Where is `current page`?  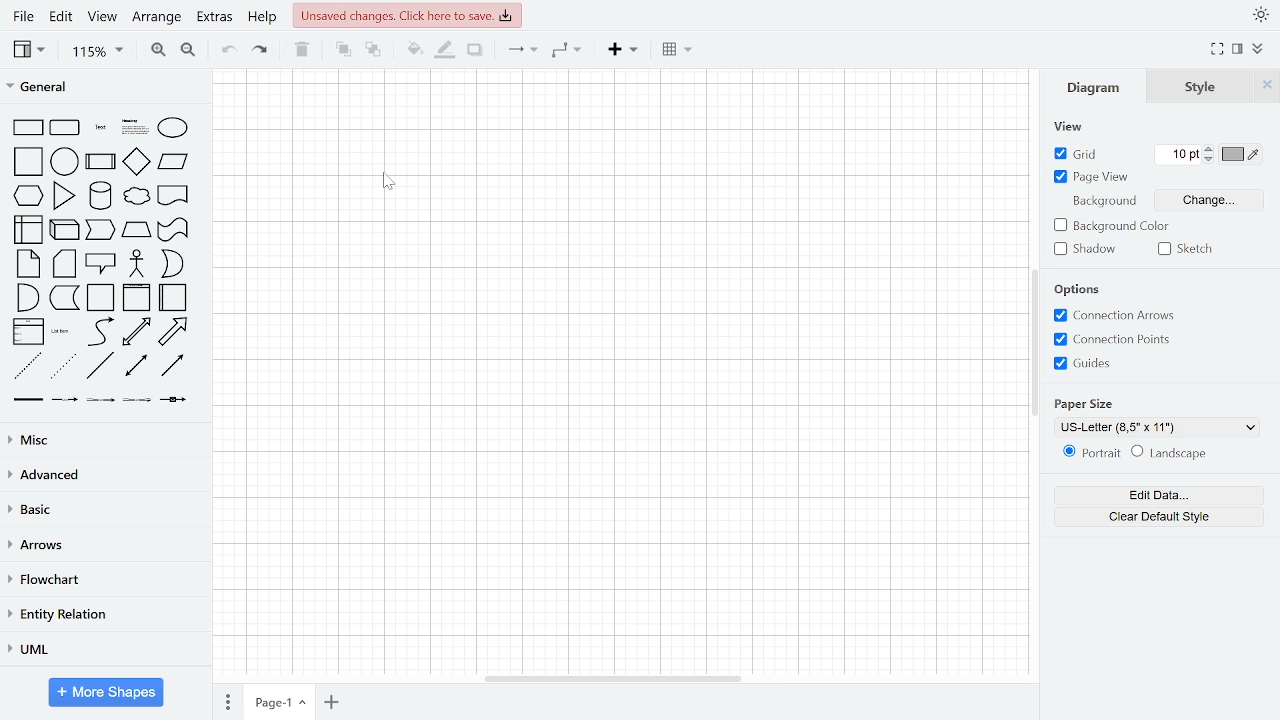
current page is located at coordinates (278, 703).